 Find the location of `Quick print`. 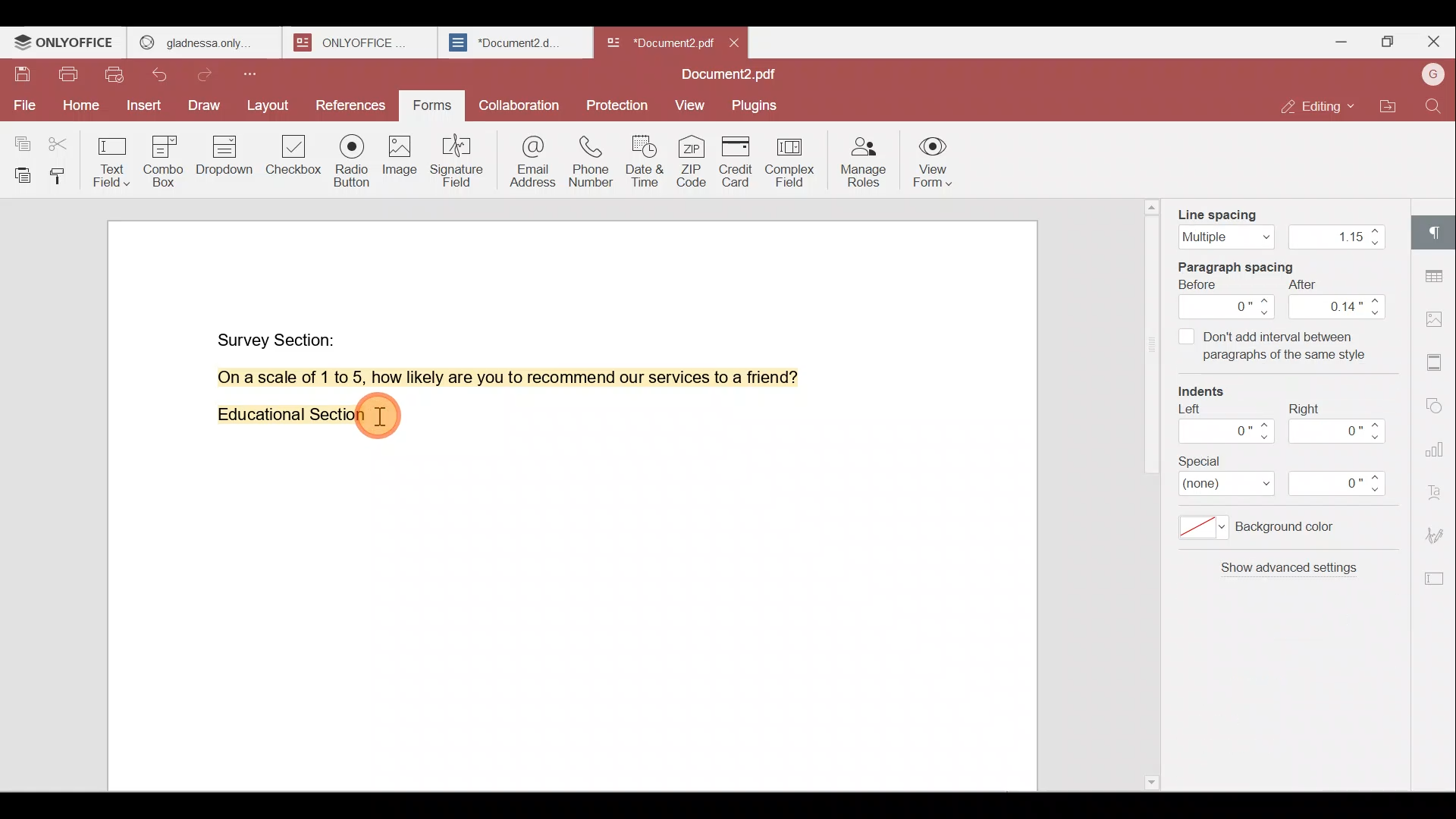

Quick print is located at coordinates (116, 77).